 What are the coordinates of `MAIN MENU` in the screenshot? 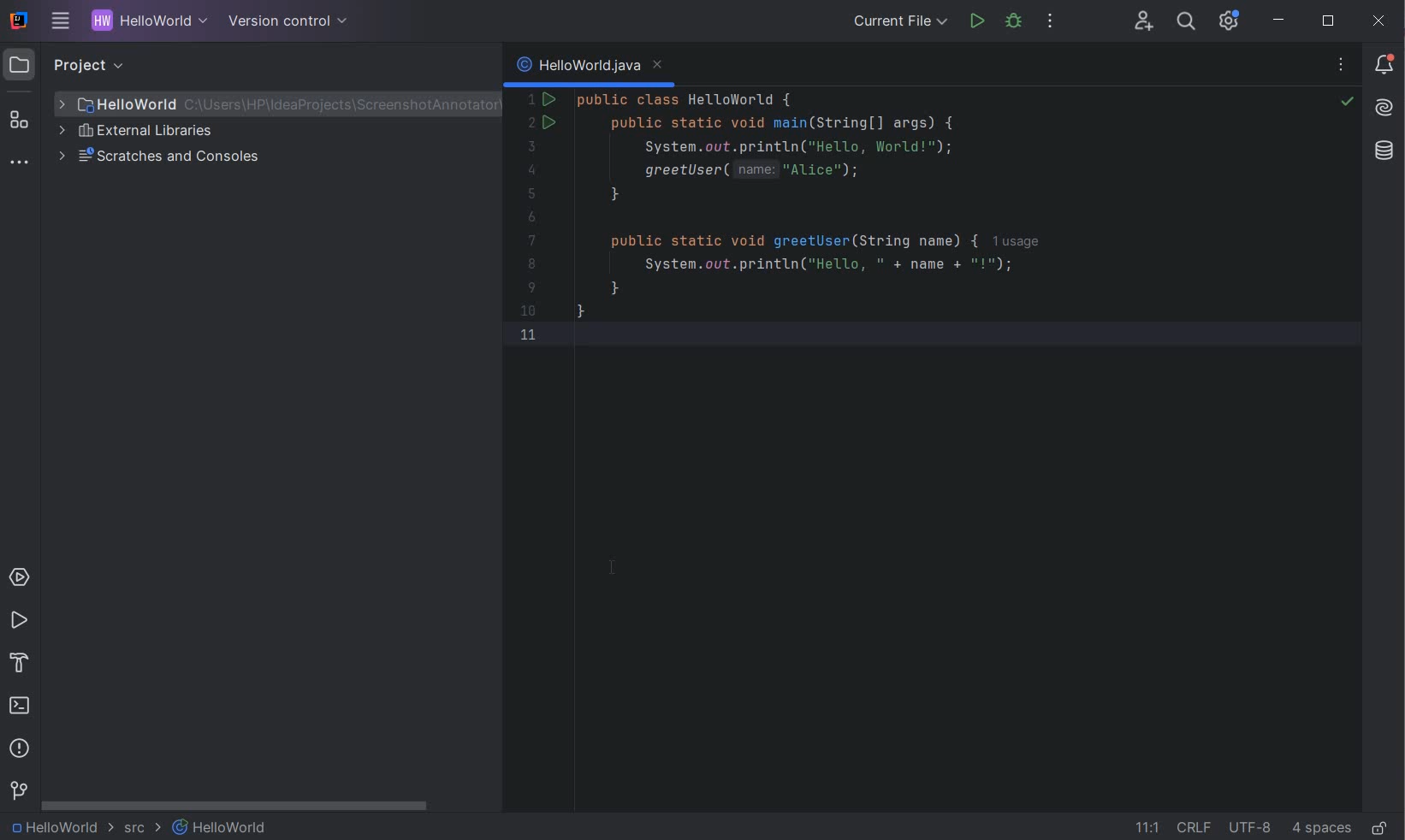 It's located at (56, 22).